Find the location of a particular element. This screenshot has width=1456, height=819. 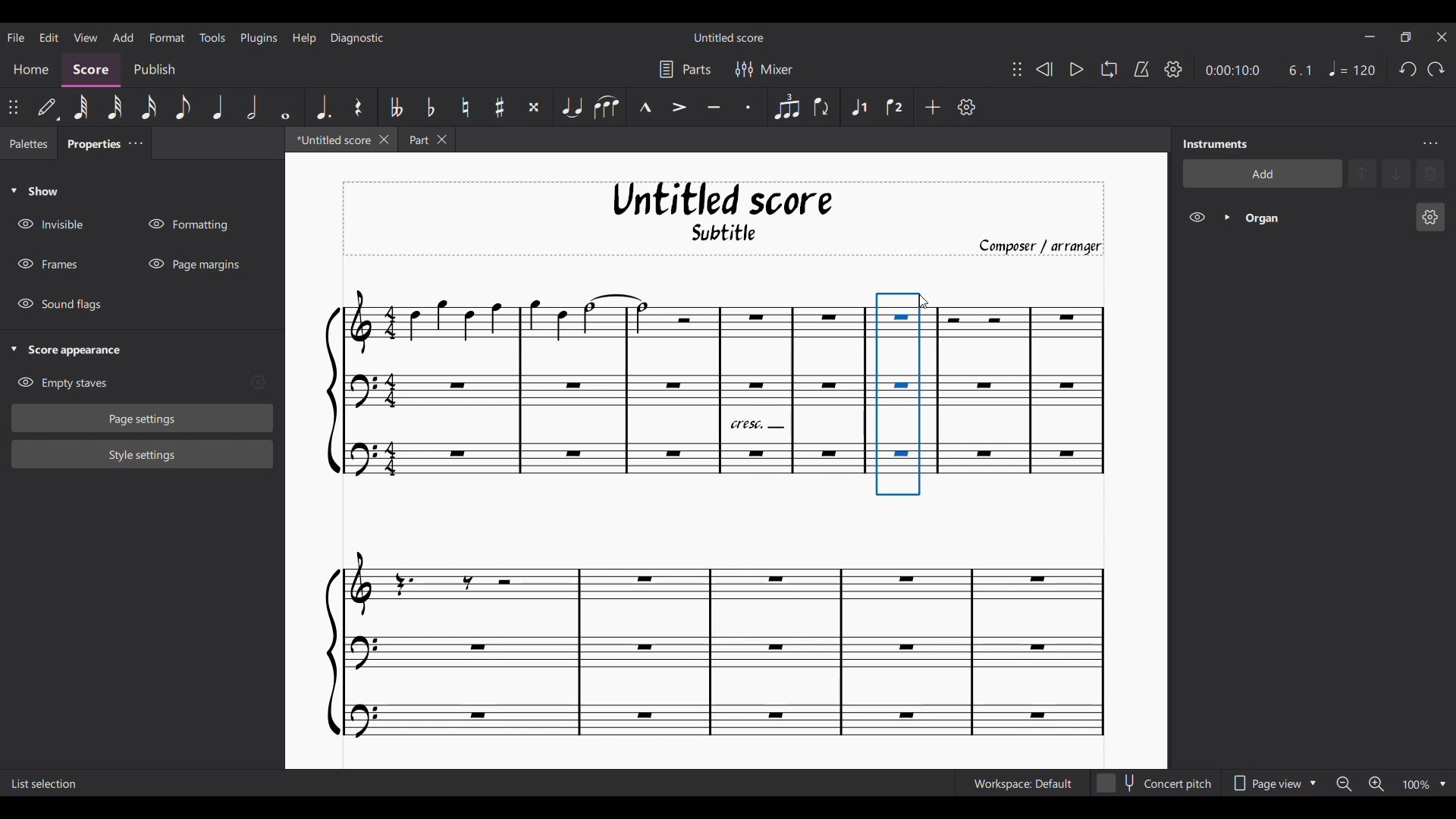

Cursor position unchanged is located at coordinates (924, 302).